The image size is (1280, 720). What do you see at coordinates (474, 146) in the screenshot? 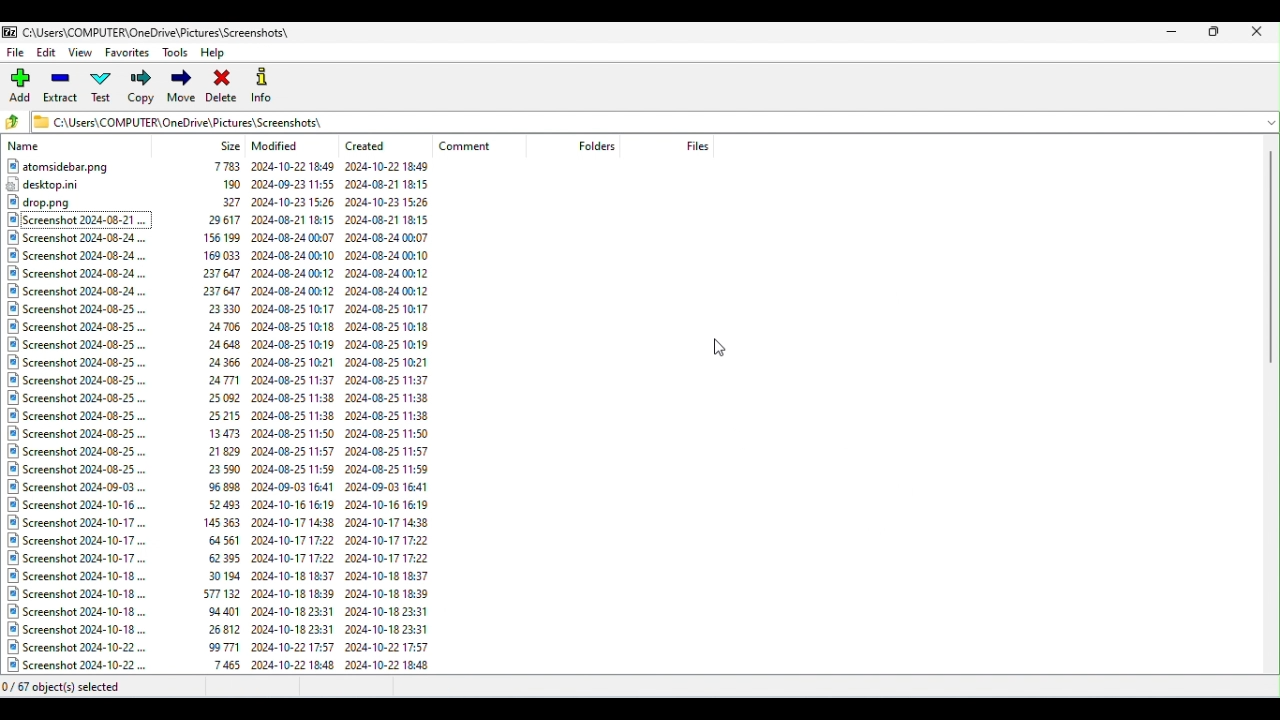
I see `Comment` at bounding box center [474, 146].